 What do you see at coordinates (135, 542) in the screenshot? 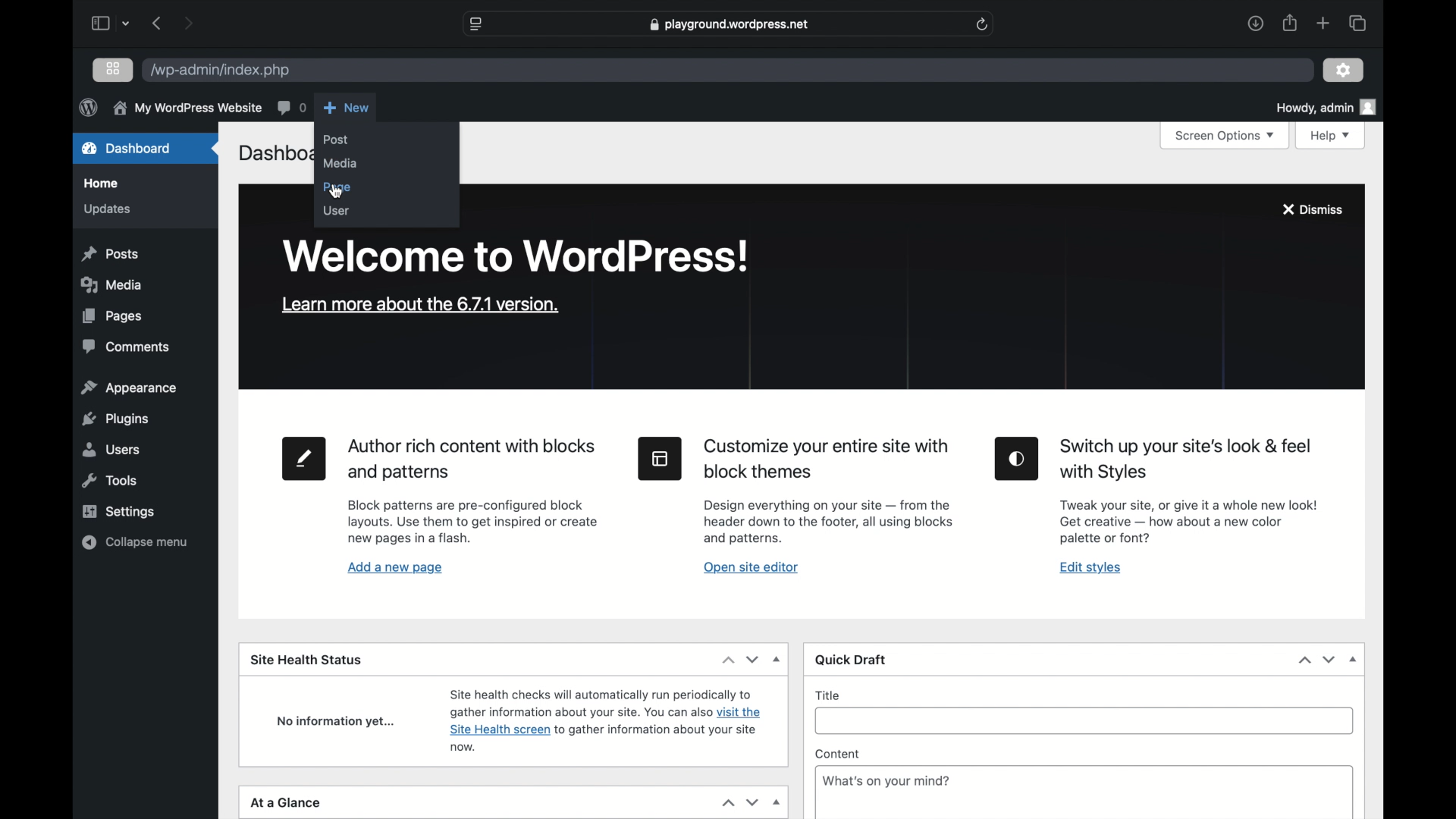
I see `collapse menu` at bounding box center [135, 542].